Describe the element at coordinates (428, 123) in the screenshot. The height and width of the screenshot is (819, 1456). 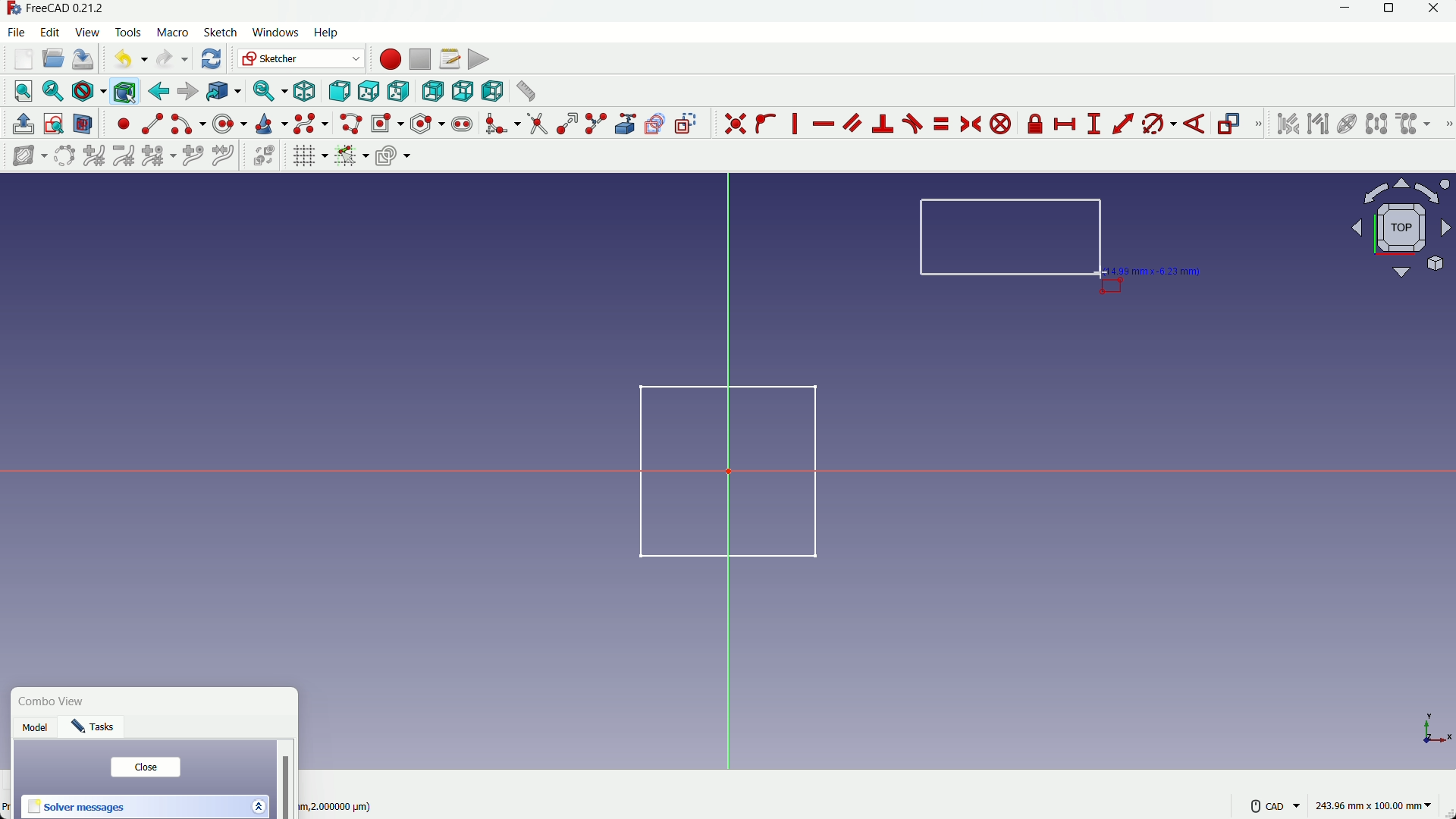
I see `create polygon` at that location.